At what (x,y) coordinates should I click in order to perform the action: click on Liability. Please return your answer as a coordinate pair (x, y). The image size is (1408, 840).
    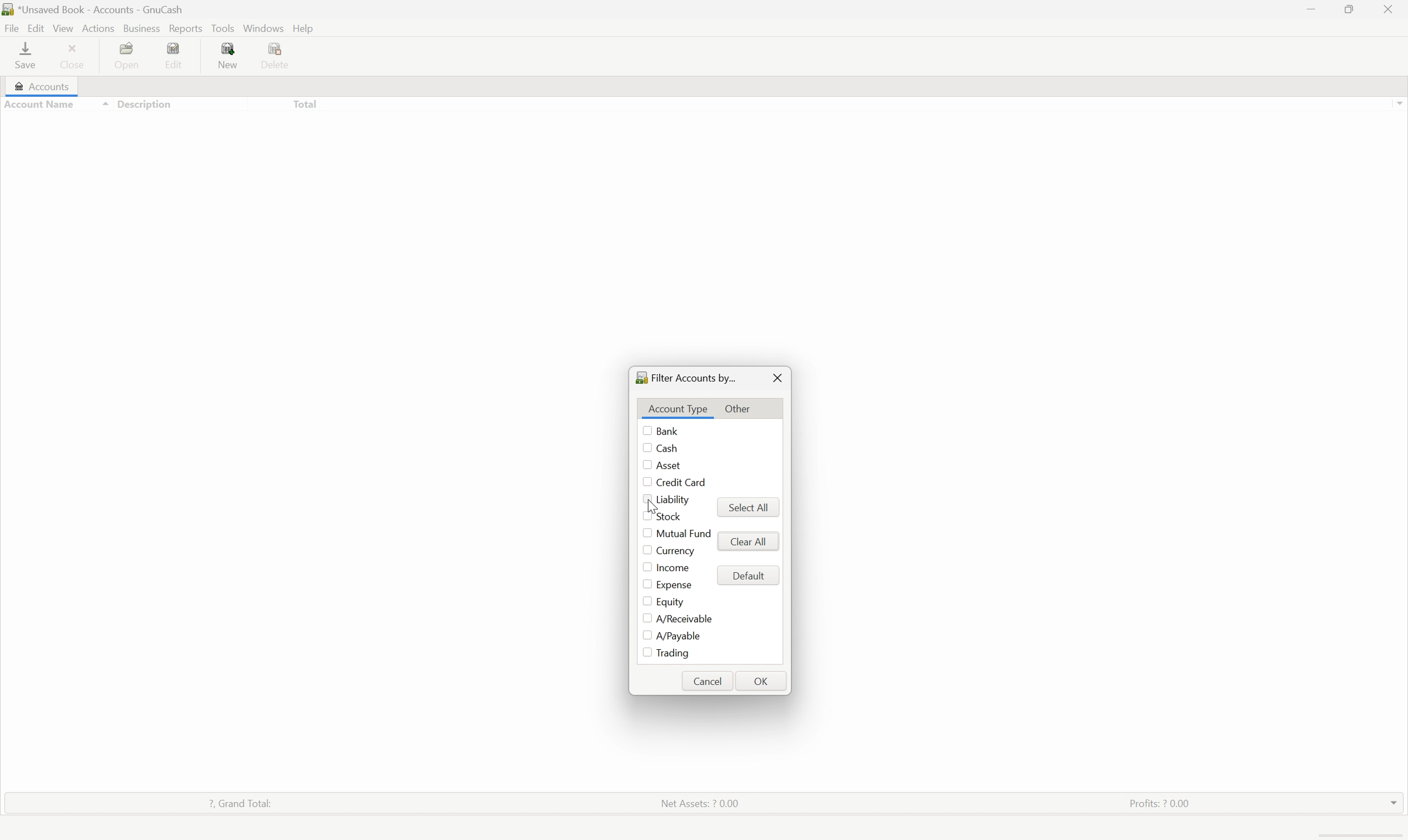
    Looking at the image, I should click on (673, 500).